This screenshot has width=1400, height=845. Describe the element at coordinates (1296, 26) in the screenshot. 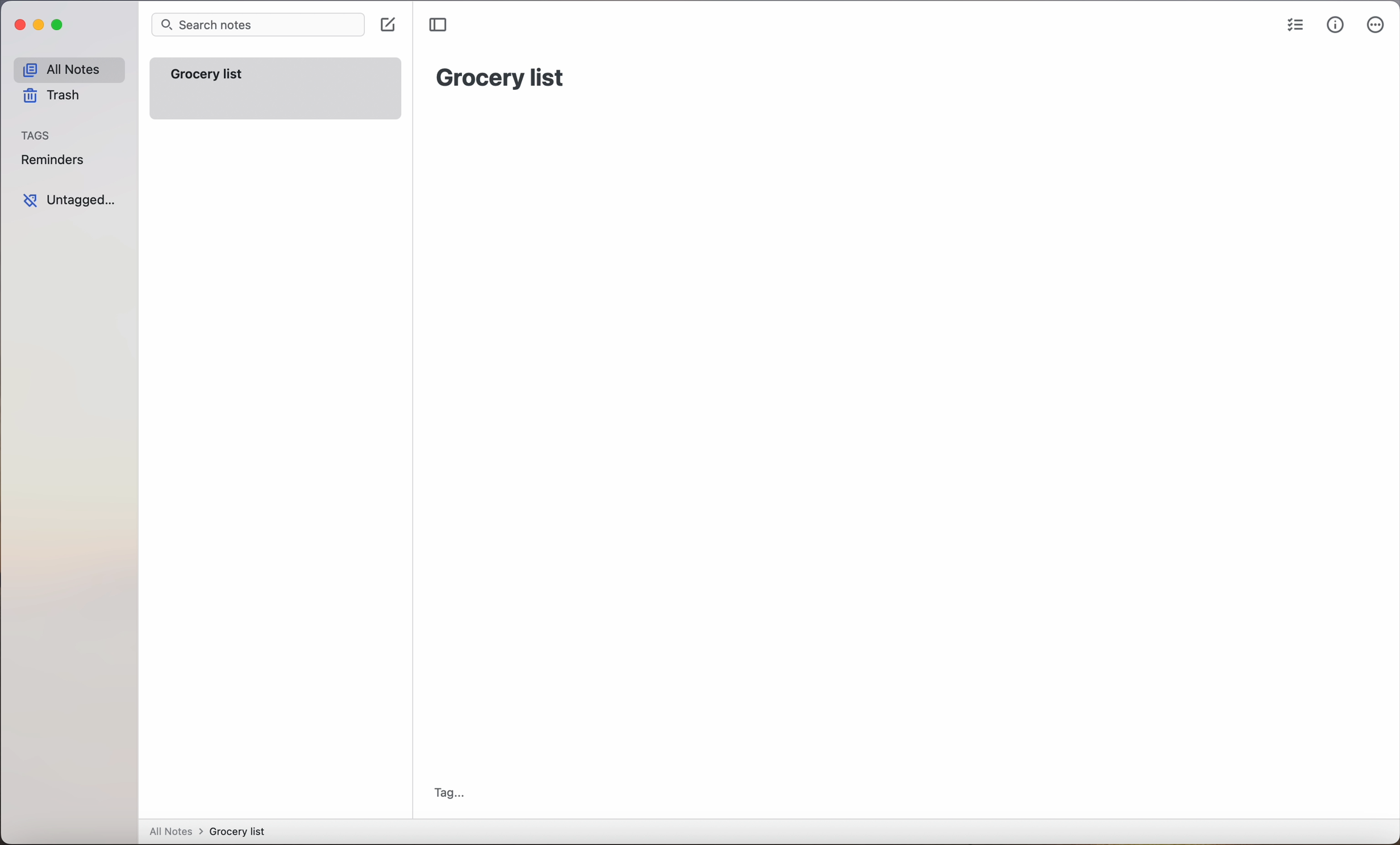

I see `checklist` at that location.